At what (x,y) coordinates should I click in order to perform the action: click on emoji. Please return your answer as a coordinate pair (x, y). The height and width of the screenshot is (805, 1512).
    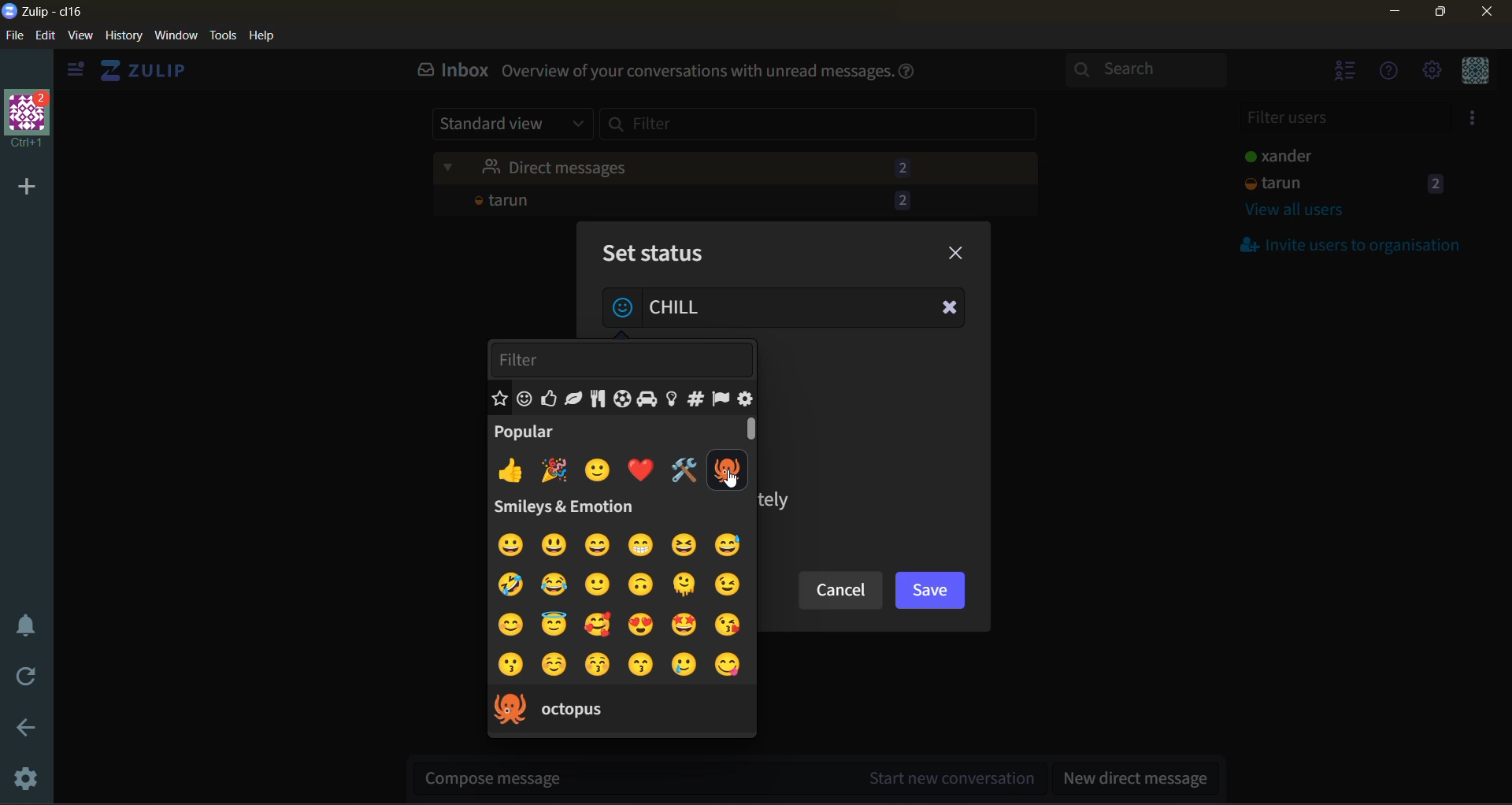
    Looking at the image, I should click on (731, 663).